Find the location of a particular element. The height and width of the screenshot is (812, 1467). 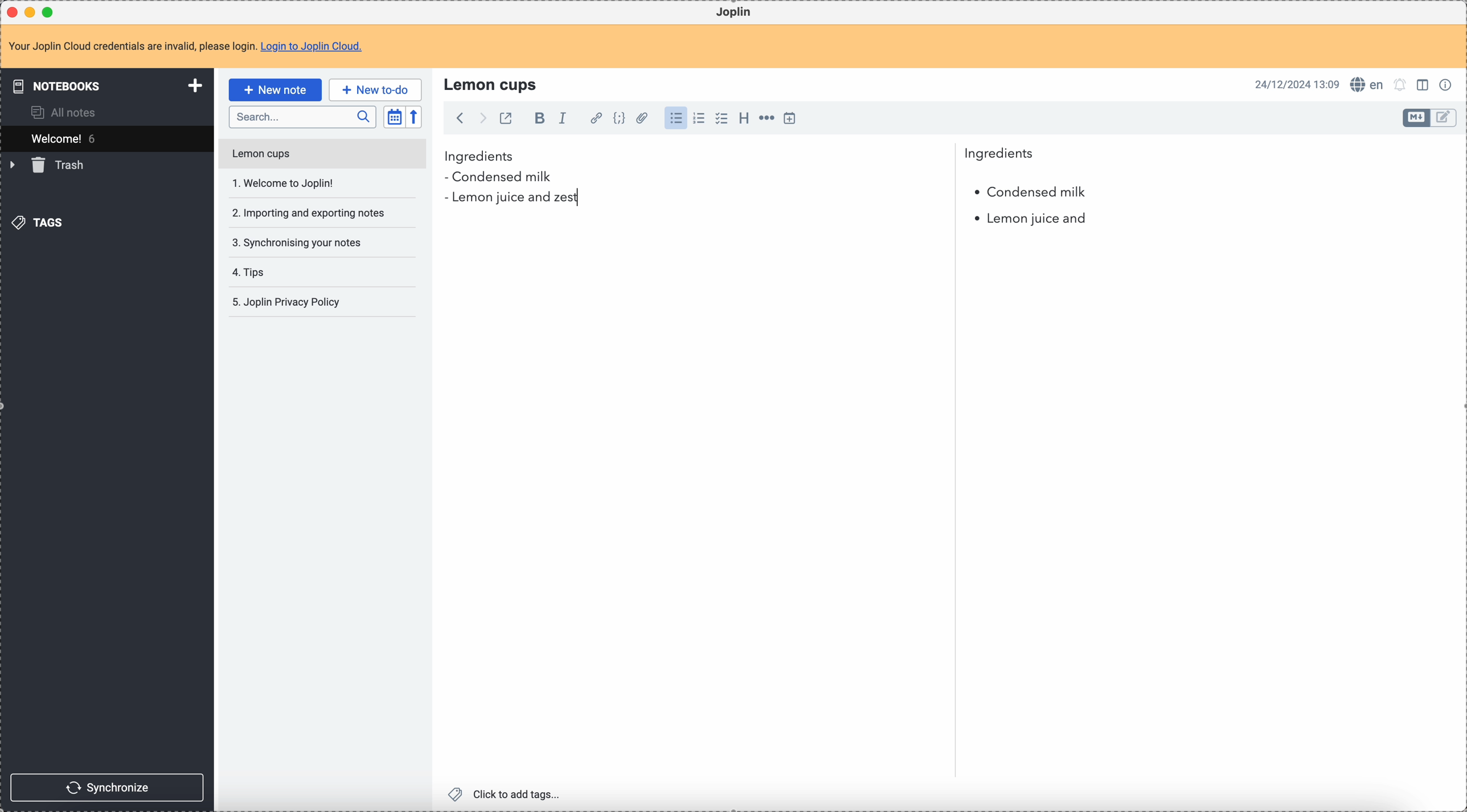

hyperlink is located at coordinates (594, 119).